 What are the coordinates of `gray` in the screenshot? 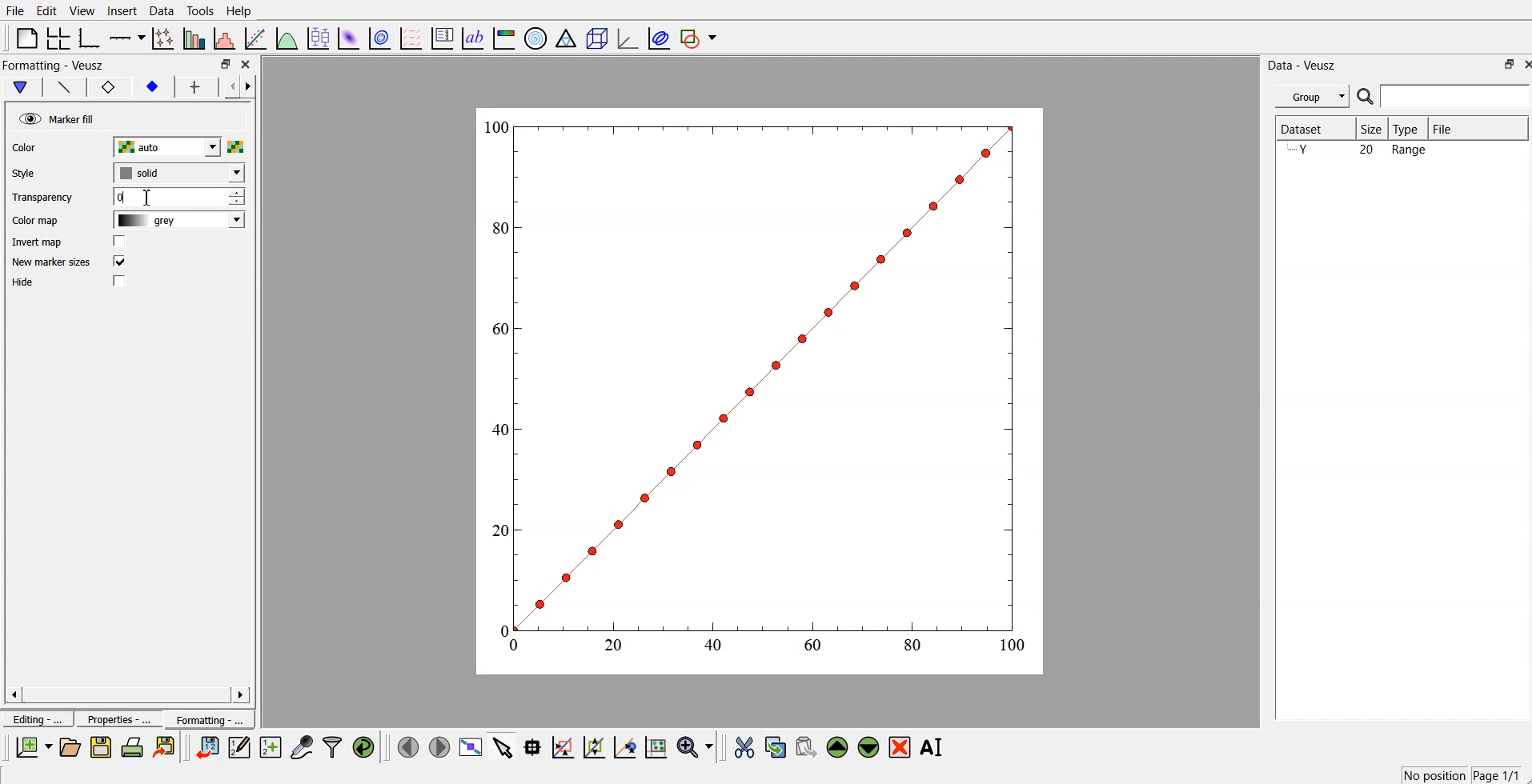 It's located at (175, 222).